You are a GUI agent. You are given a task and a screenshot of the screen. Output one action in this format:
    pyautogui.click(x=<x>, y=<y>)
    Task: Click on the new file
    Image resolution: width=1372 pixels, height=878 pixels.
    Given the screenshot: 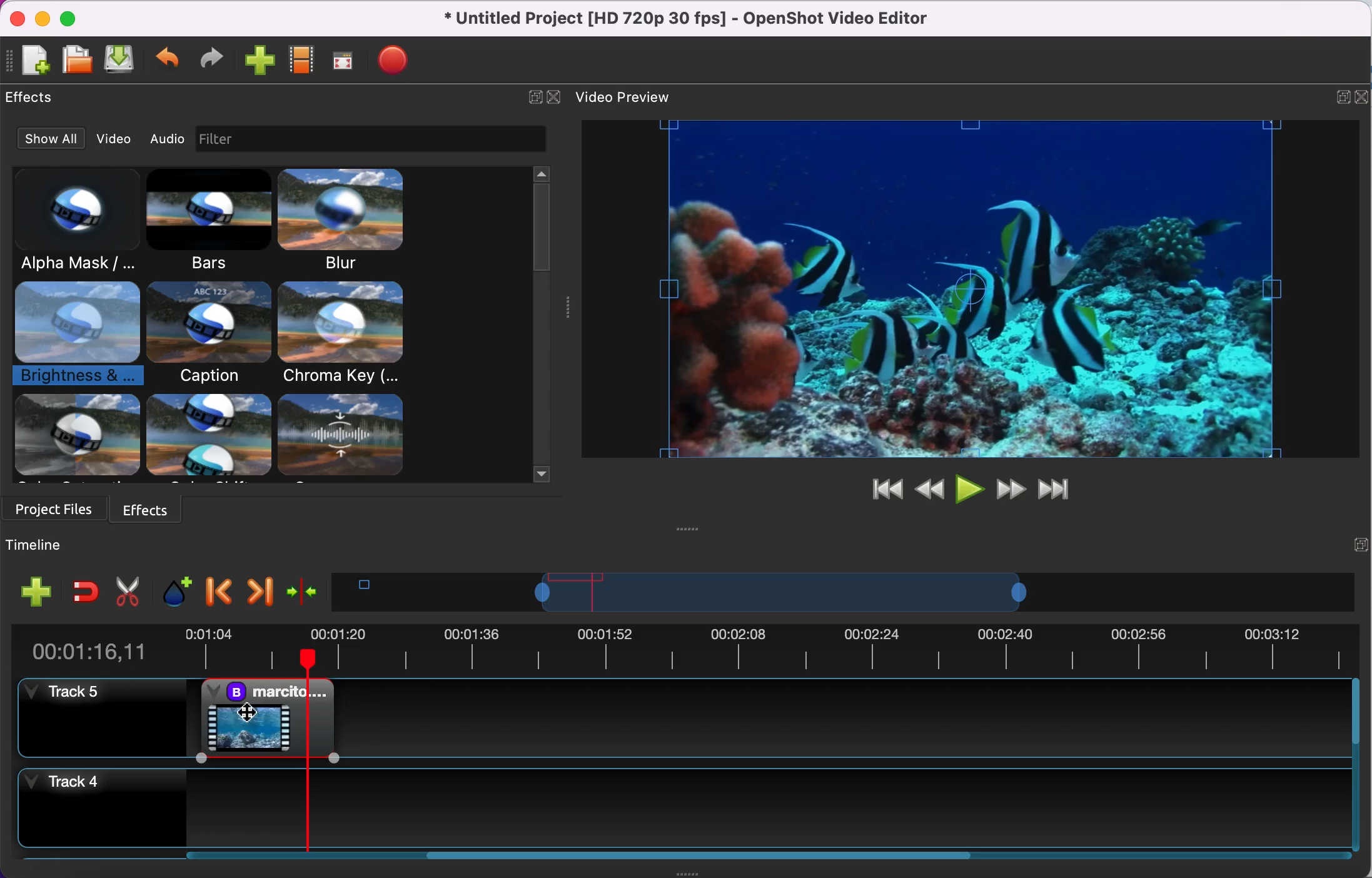 What is the action you would take?
    pyautogui.click(x=29, y=59)
    